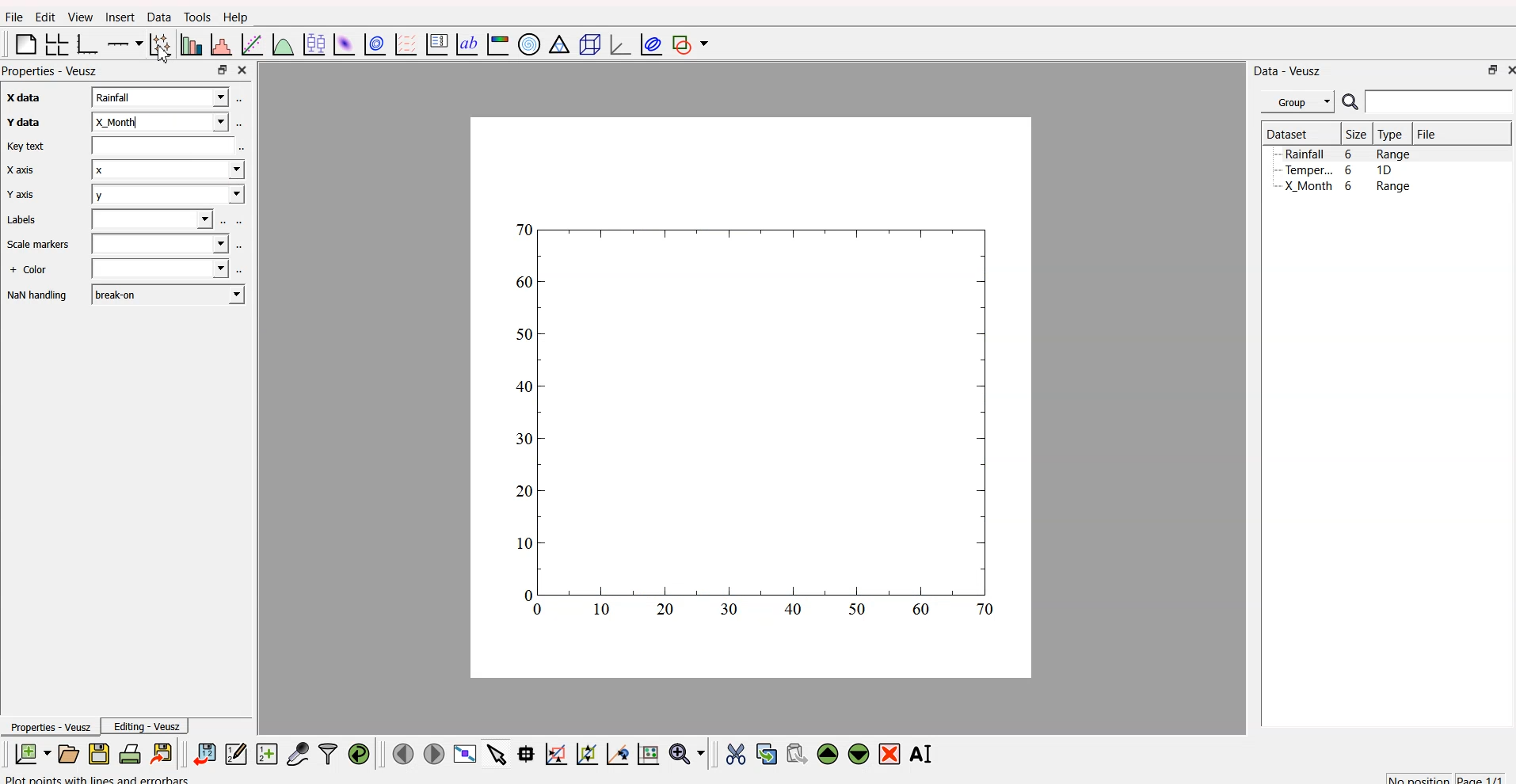 This screenshot has width=1516, height=784. Describe the element at coordinates (436, 45) in the screenshot. I see `plot key` at that location.